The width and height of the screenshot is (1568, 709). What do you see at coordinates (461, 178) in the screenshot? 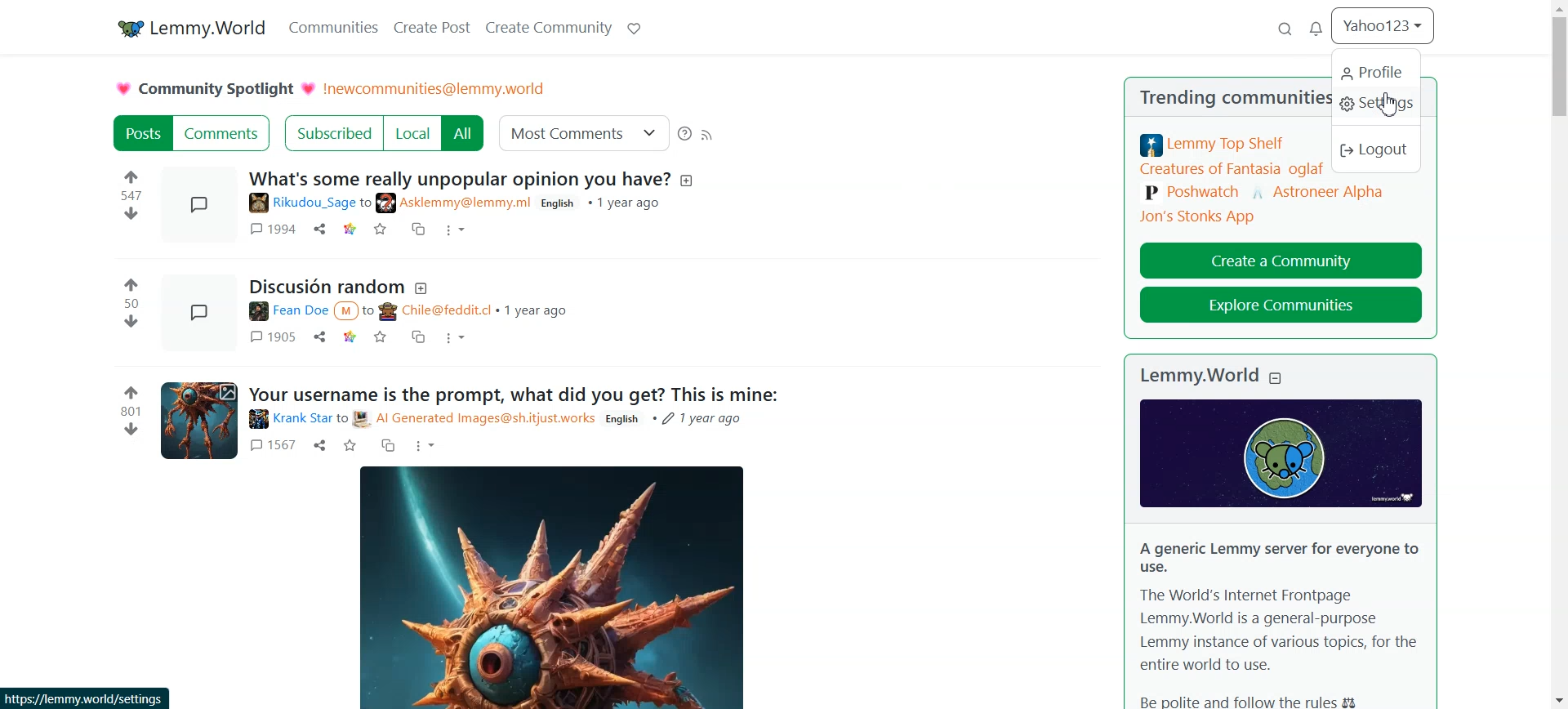
I see `What's some really unpopular opinion you have?` at bounding box center [461, 178].